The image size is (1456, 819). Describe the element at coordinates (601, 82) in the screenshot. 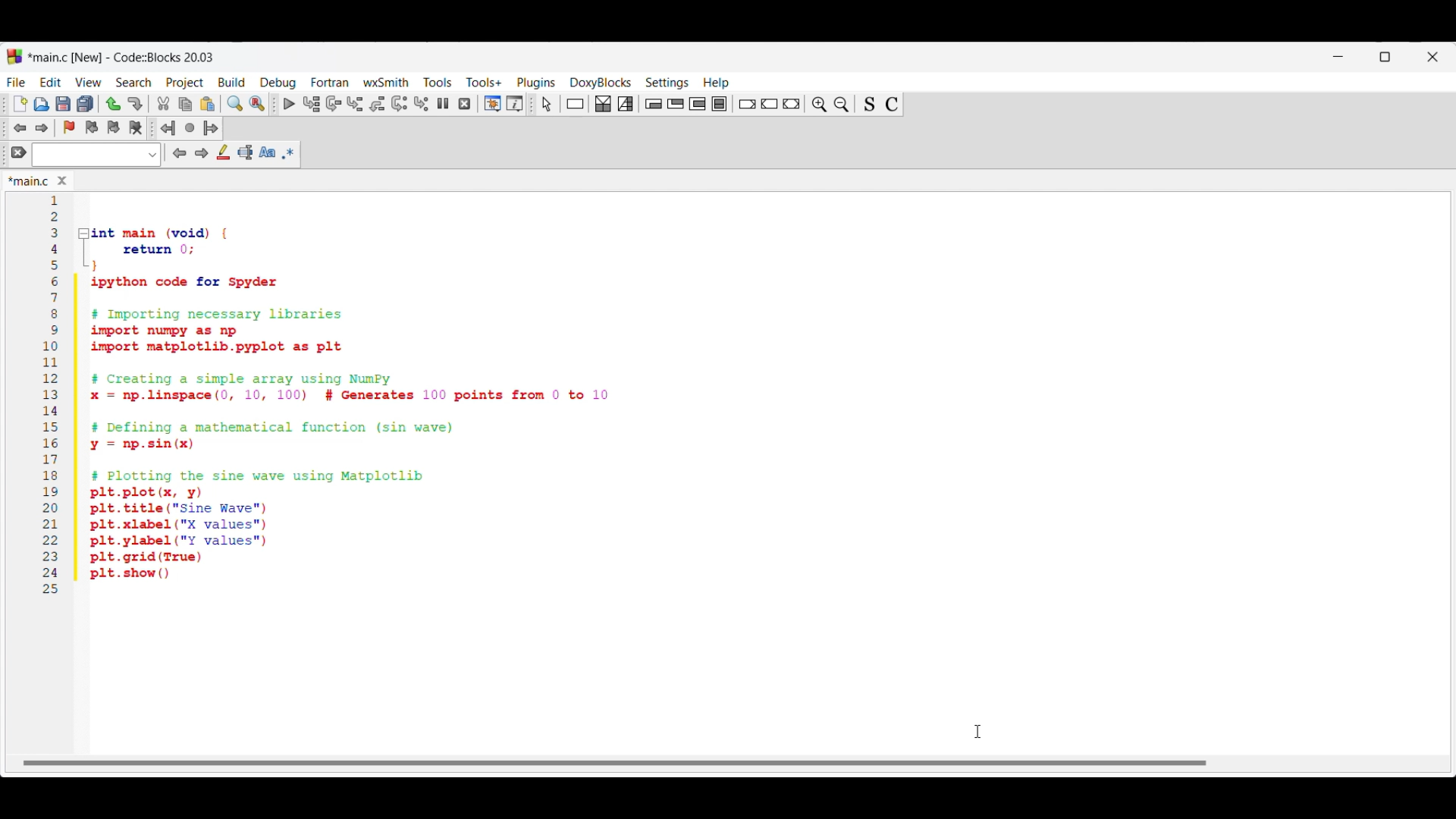

I see `DoxyBlocks menu` at that location.